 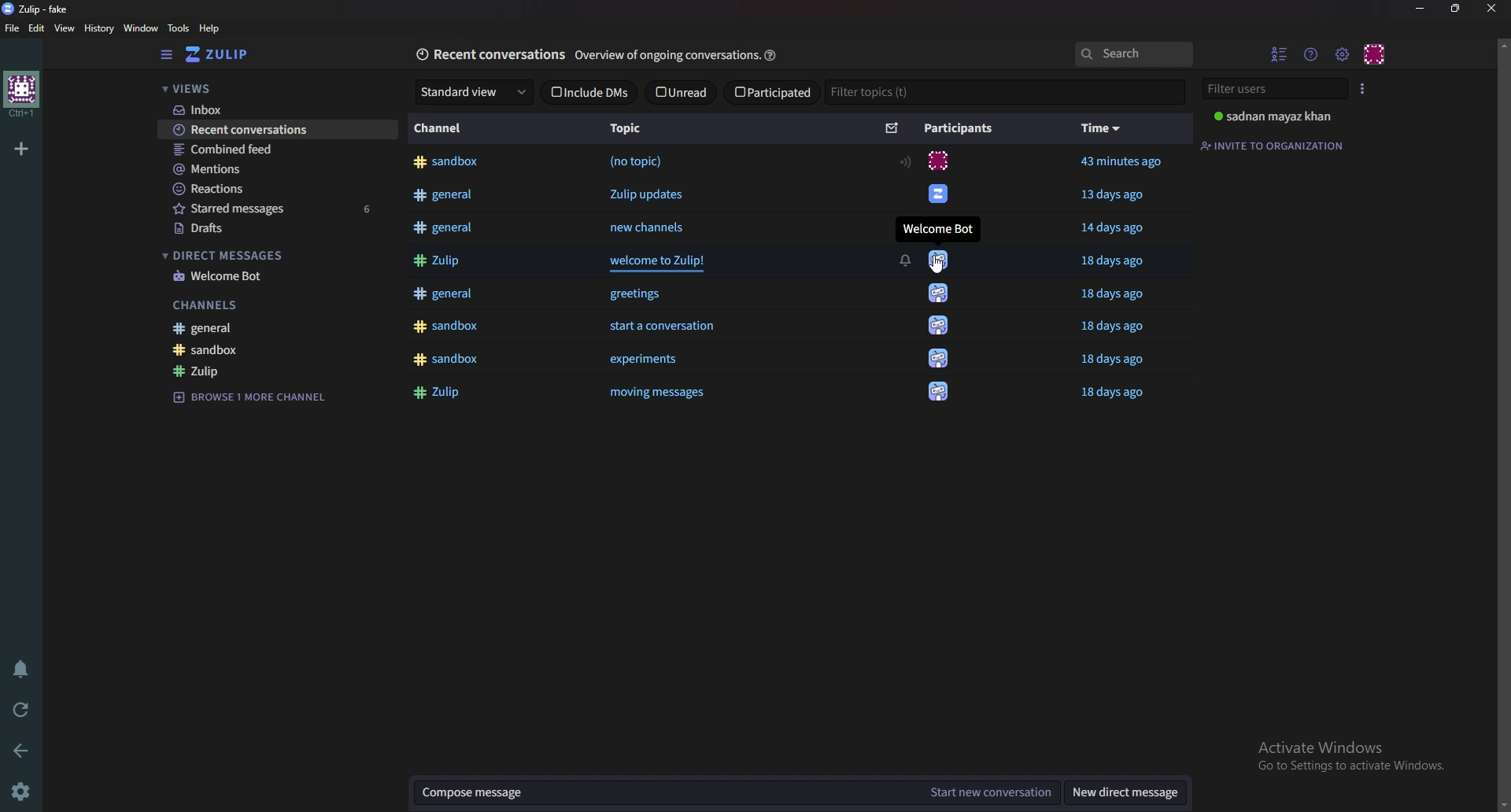 I want to click on #sandbox, so click(x=453, y=360).